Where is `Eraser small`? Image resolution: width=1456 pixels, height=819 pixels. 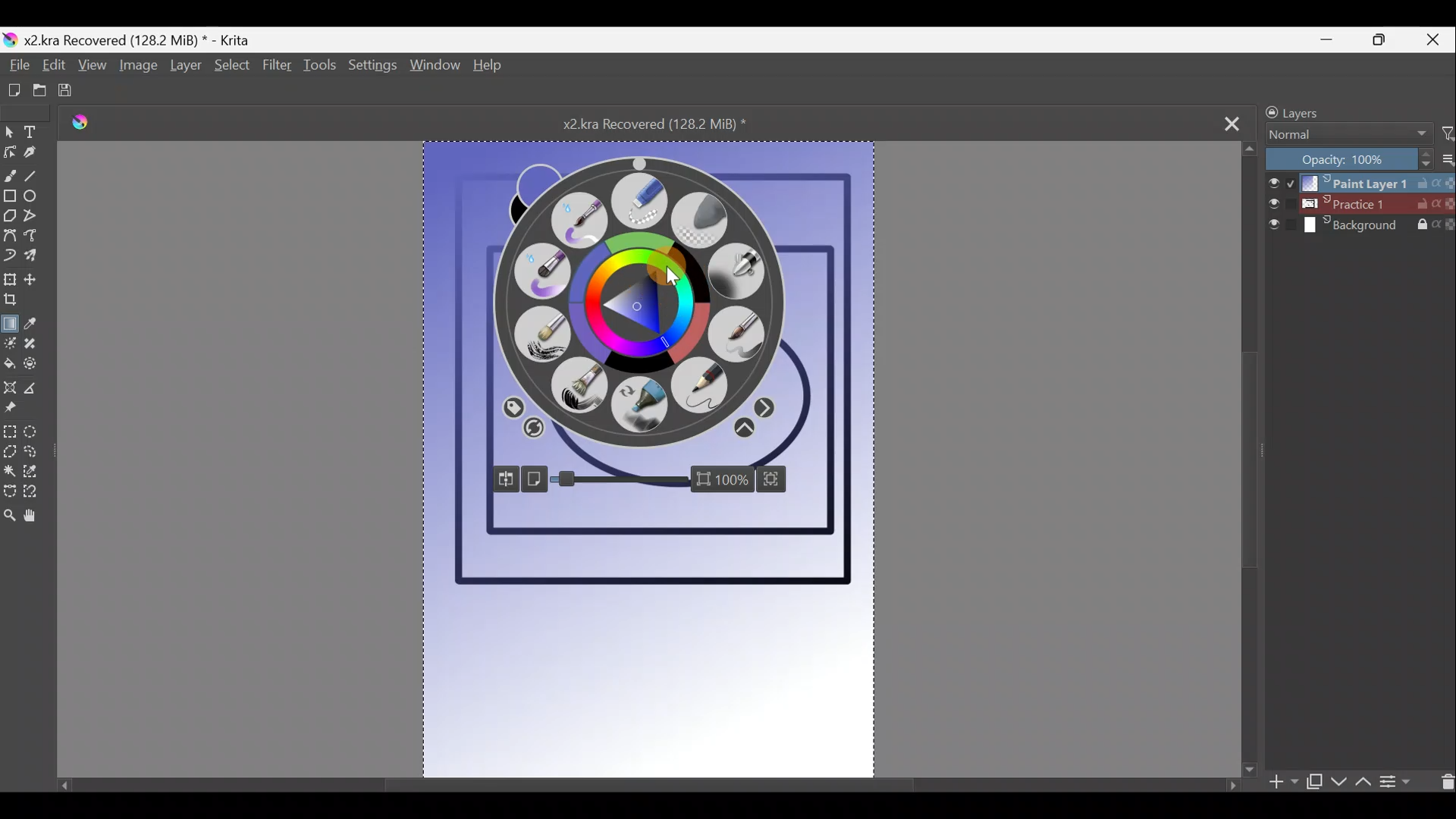
Eraser small is located at coordinates (640, 201).